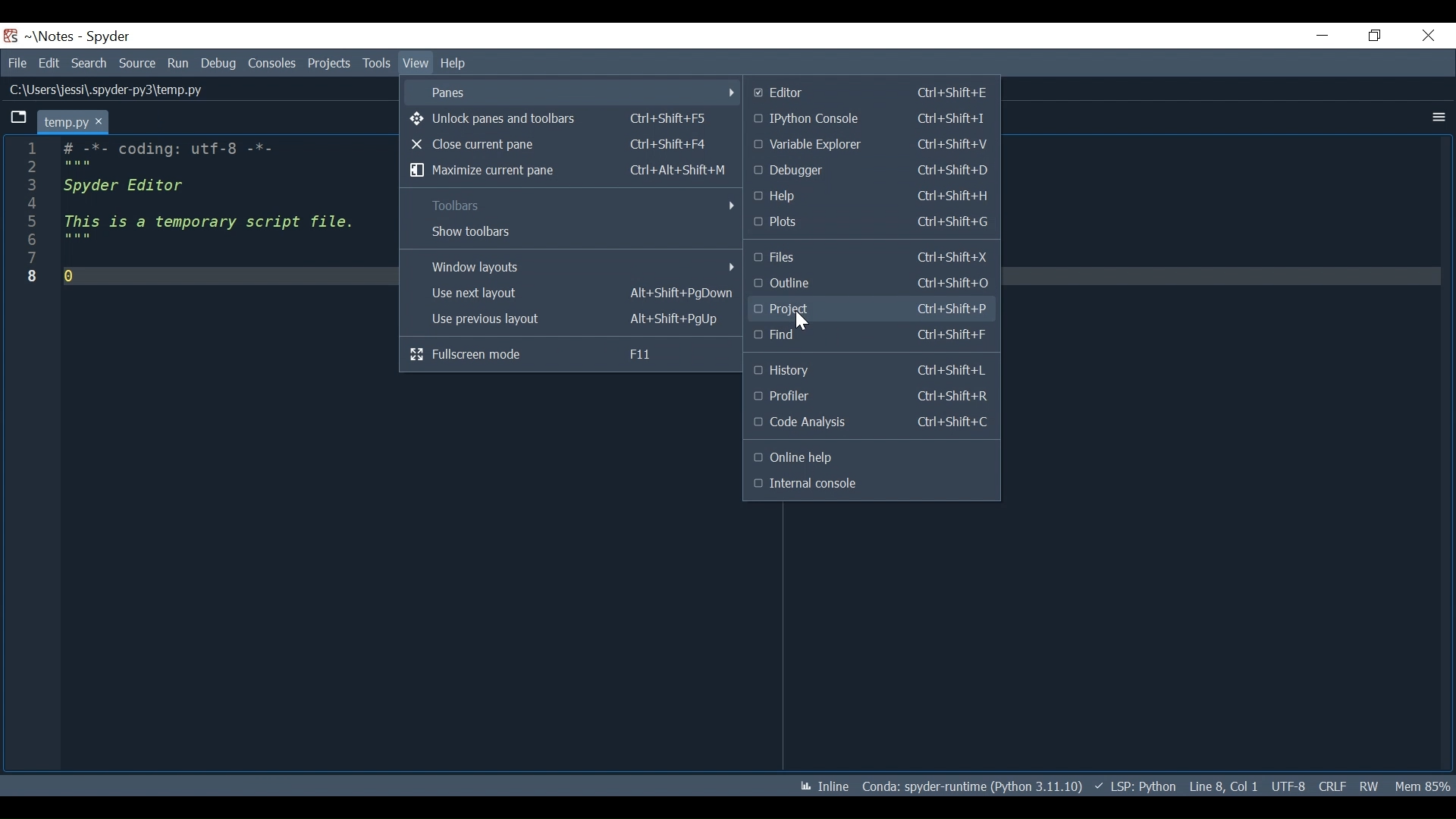  I want to click on Help, so click(872, 197).